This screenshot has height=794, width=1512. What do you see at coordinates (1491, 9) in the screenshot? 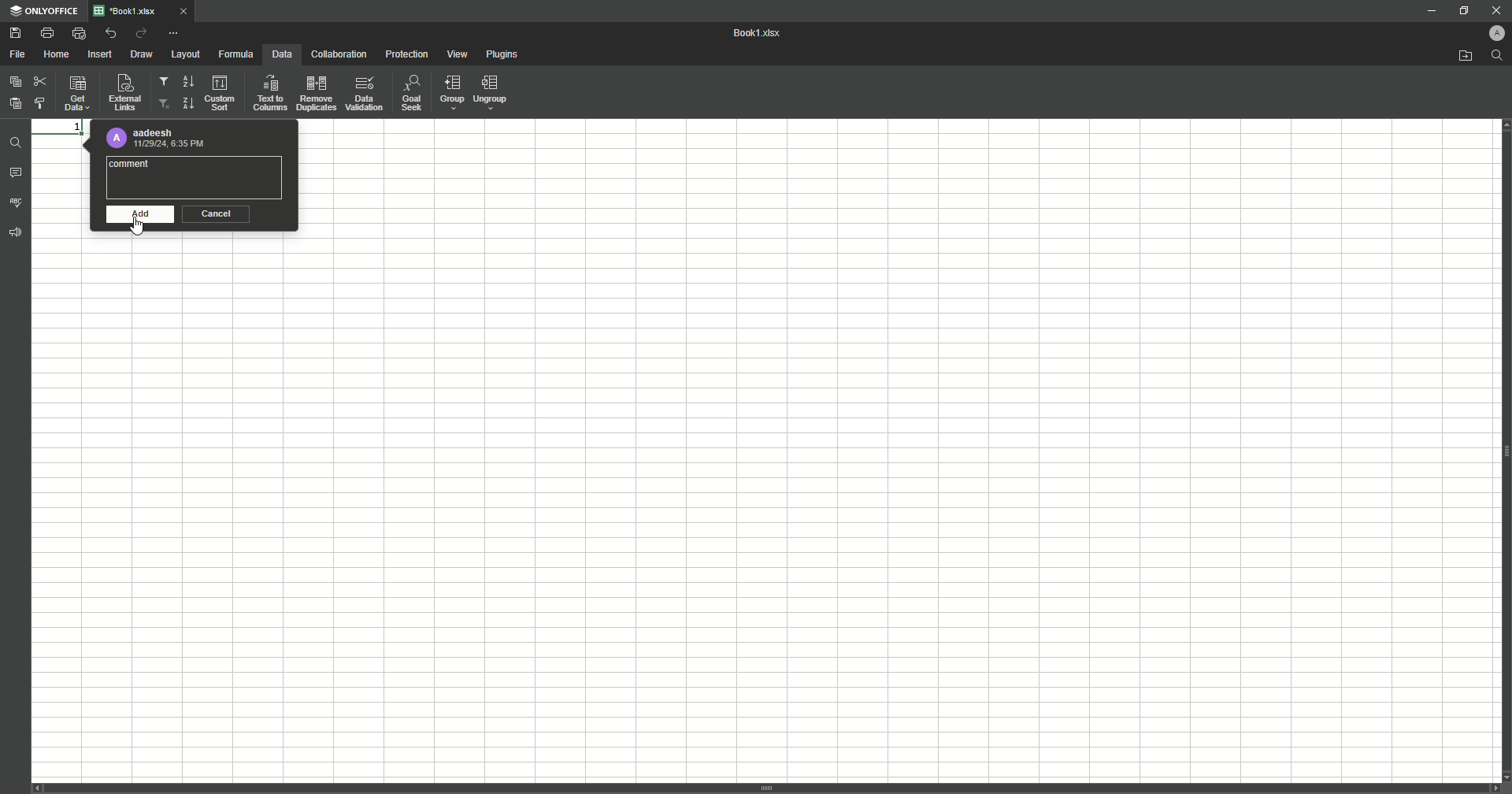
I see `Close` at bounding box center [1491, 9].